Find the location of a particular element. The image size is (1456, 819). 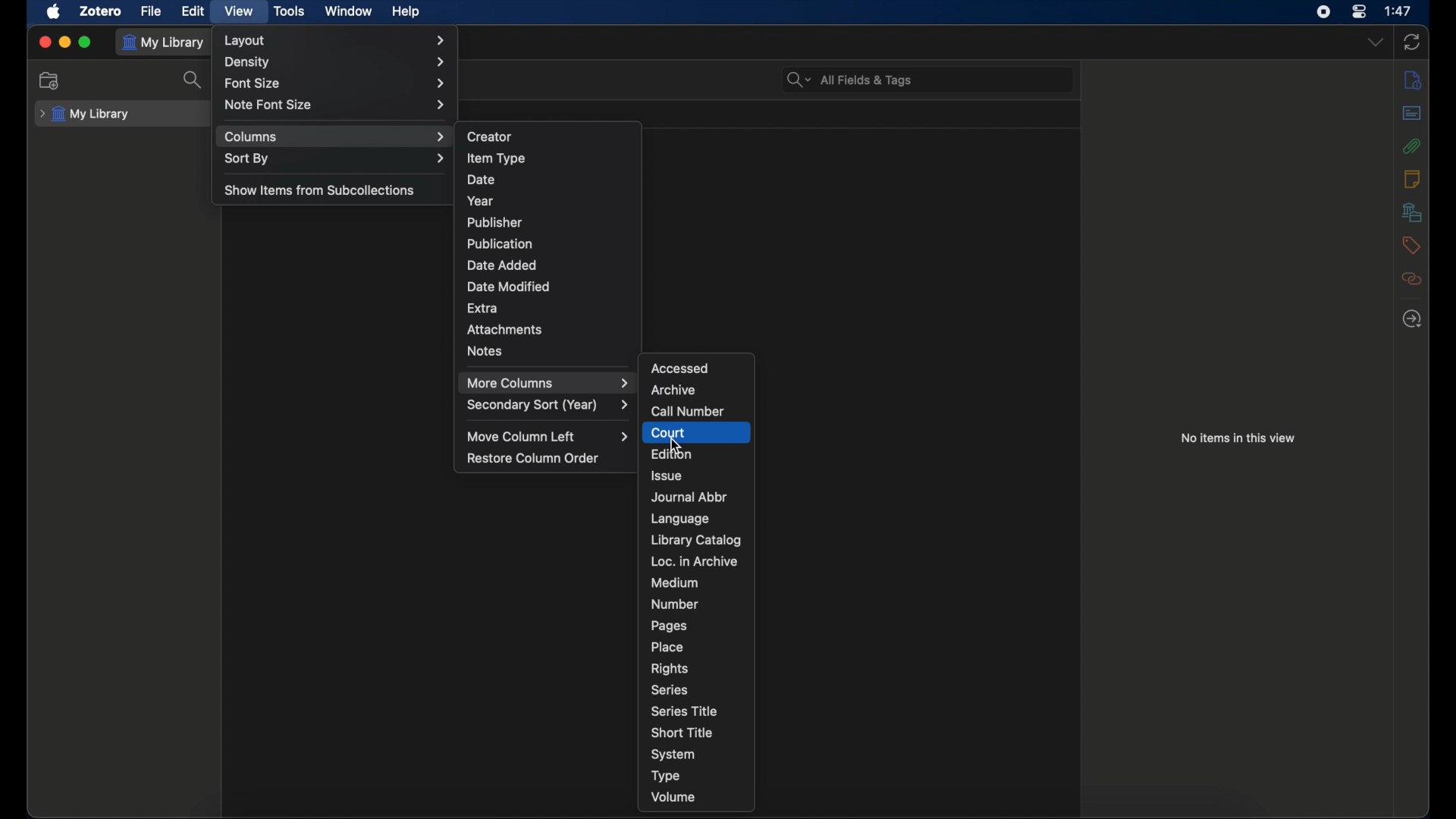

file is located at coordinates (151, 11).